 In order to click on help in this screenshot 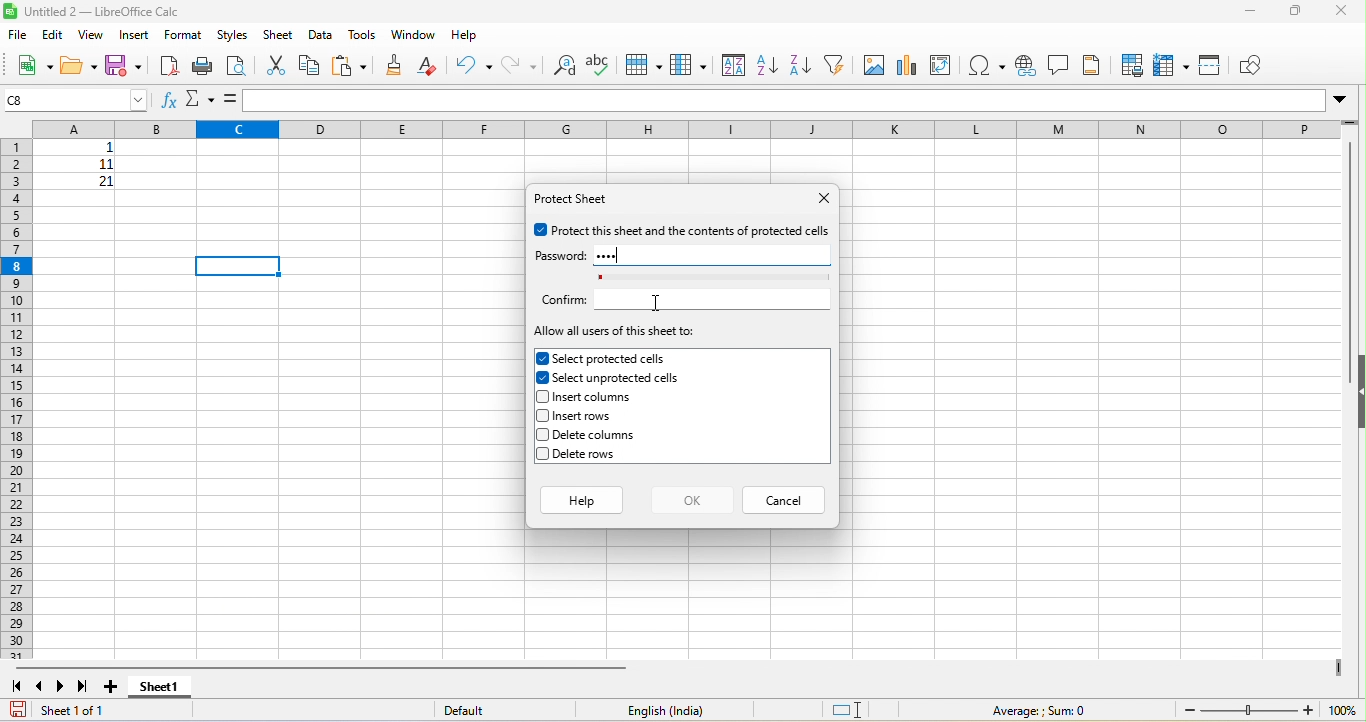, I will do `click(471, 35)`.